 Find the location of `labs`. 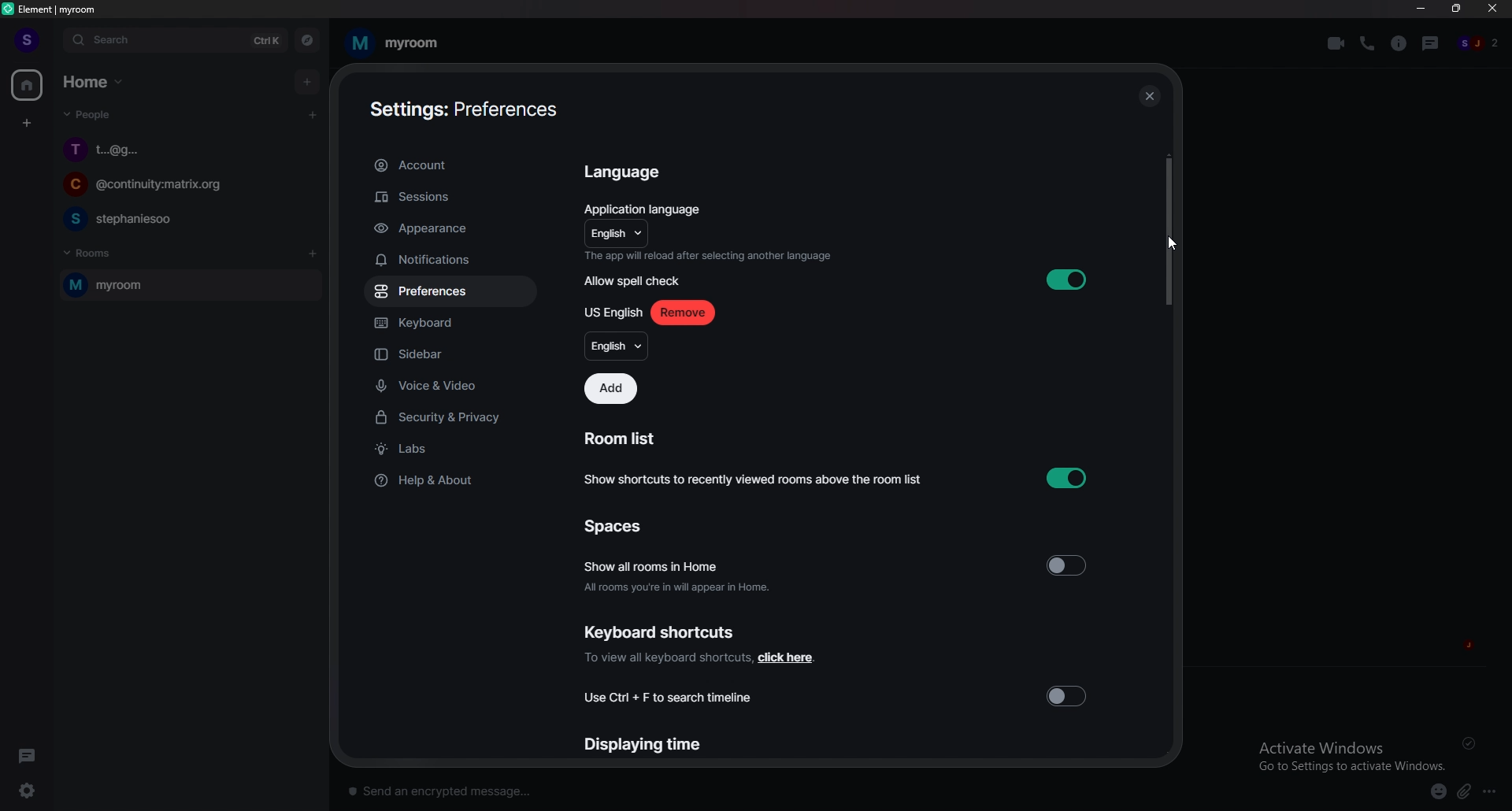

labs is located at coordinates (452, 450).